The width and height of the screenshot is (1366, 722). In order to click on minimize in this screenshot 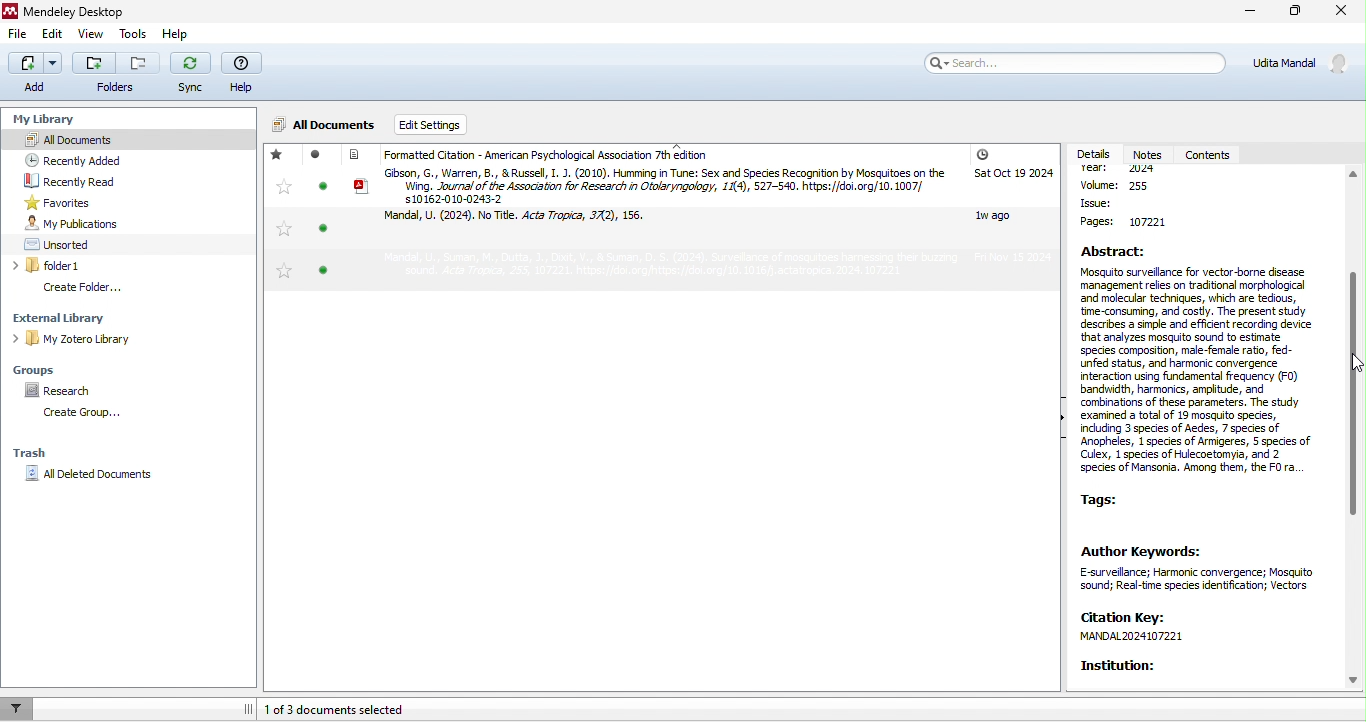, I will do `click(1247, 13)`.